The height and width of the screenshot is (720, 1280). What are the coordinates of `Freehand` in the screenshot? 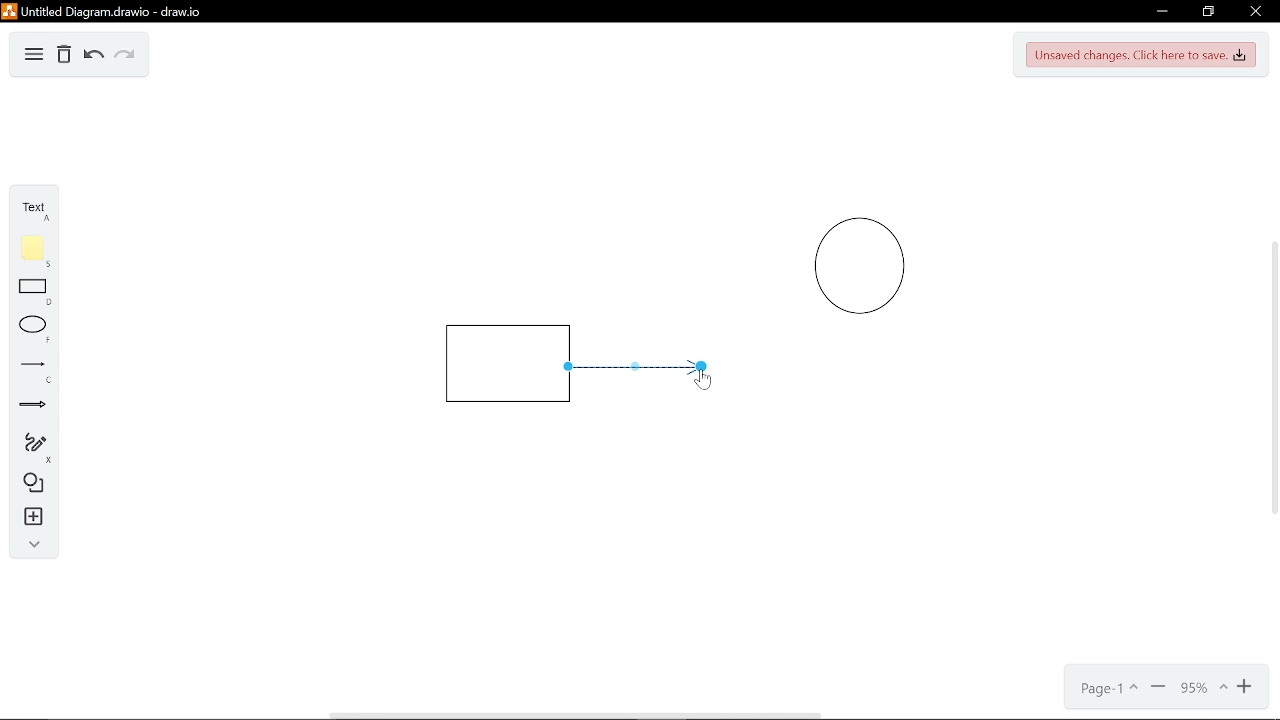 It's located at (28, 445).